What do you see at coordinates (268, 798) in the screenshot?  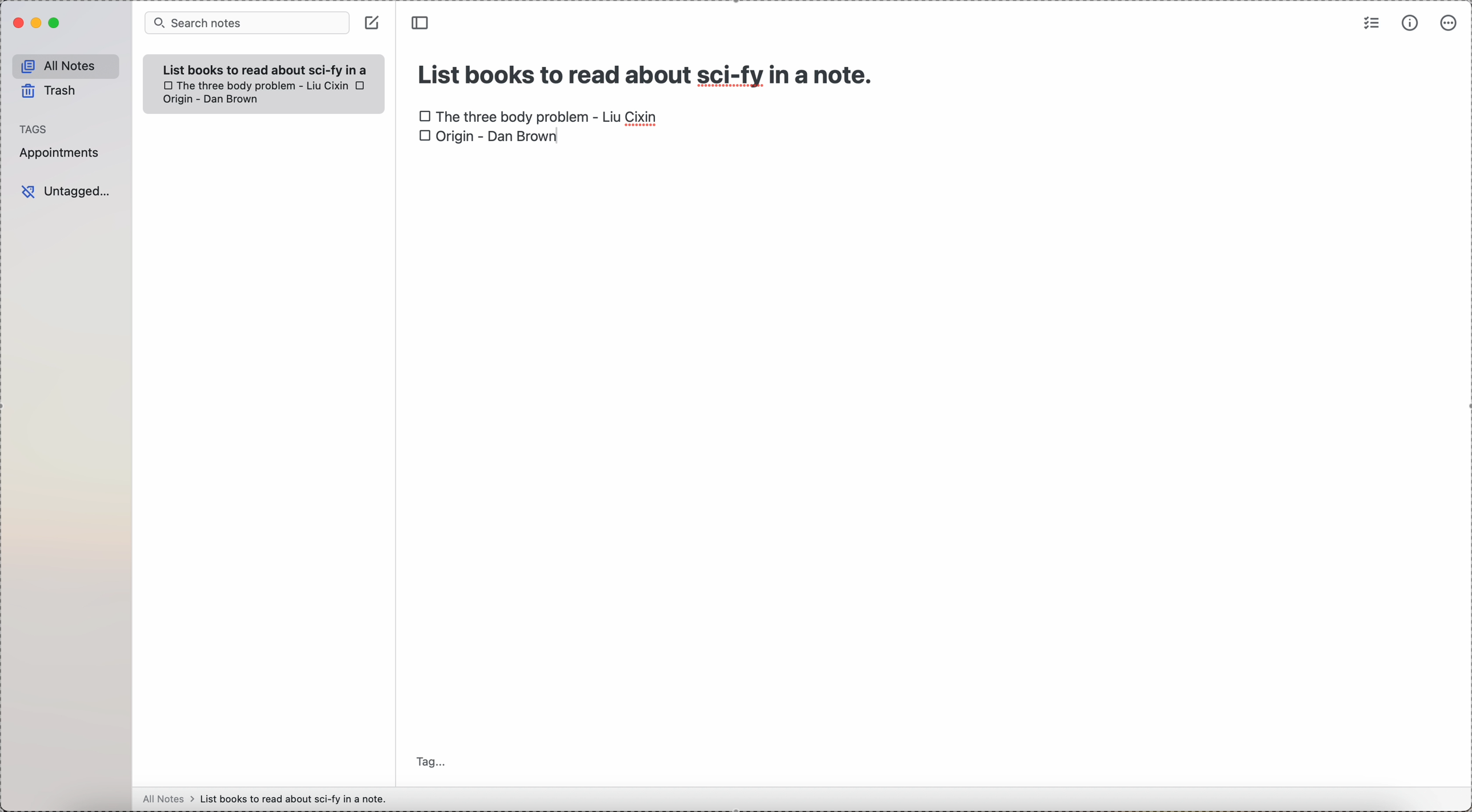 I see `all notes > List books to read about sci-fy in a note.` at bounding box center [268, 798].